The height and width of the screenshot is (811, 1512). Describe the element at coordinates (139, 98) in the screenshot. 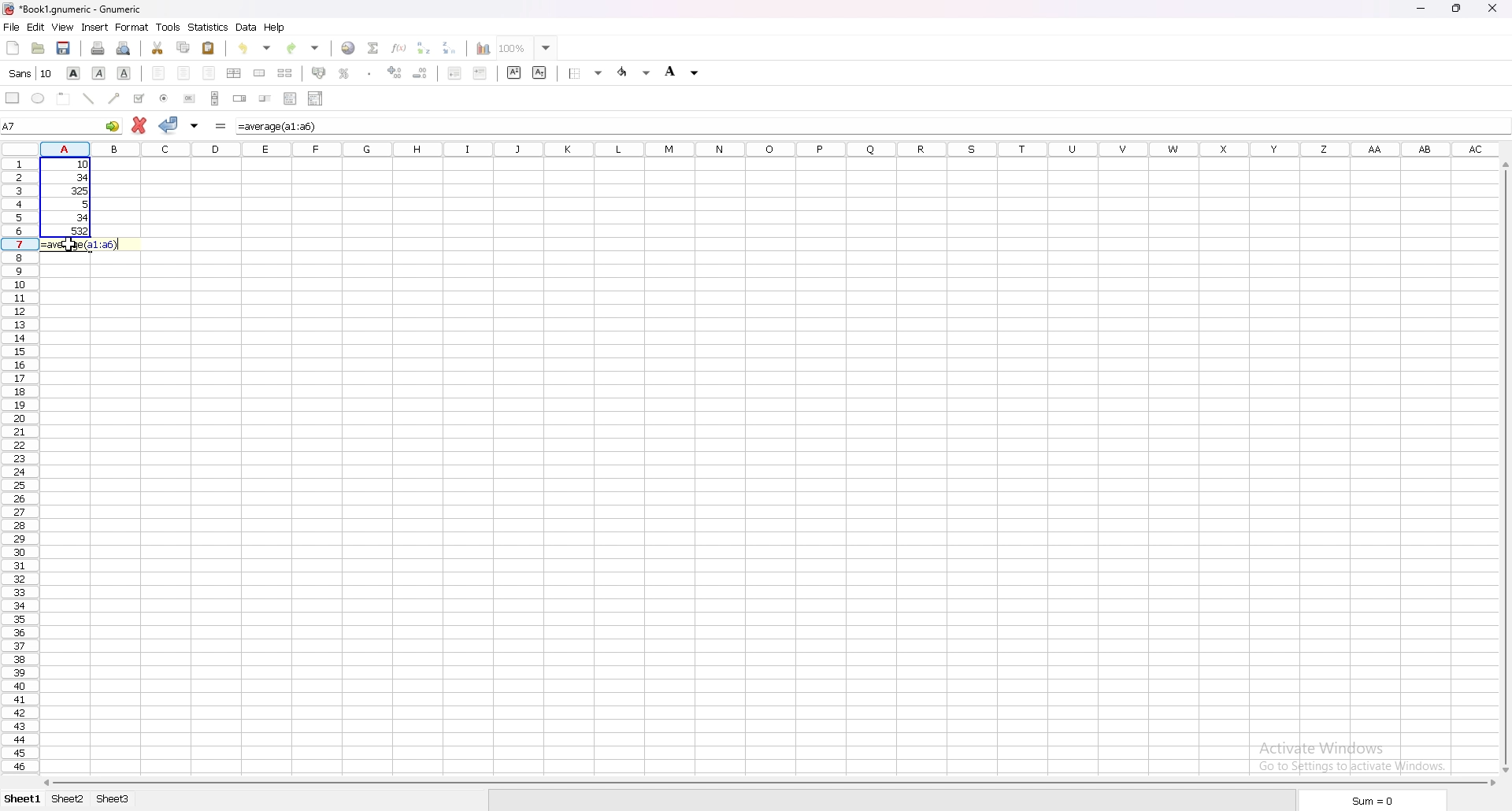

I see `tickbox` at that location.